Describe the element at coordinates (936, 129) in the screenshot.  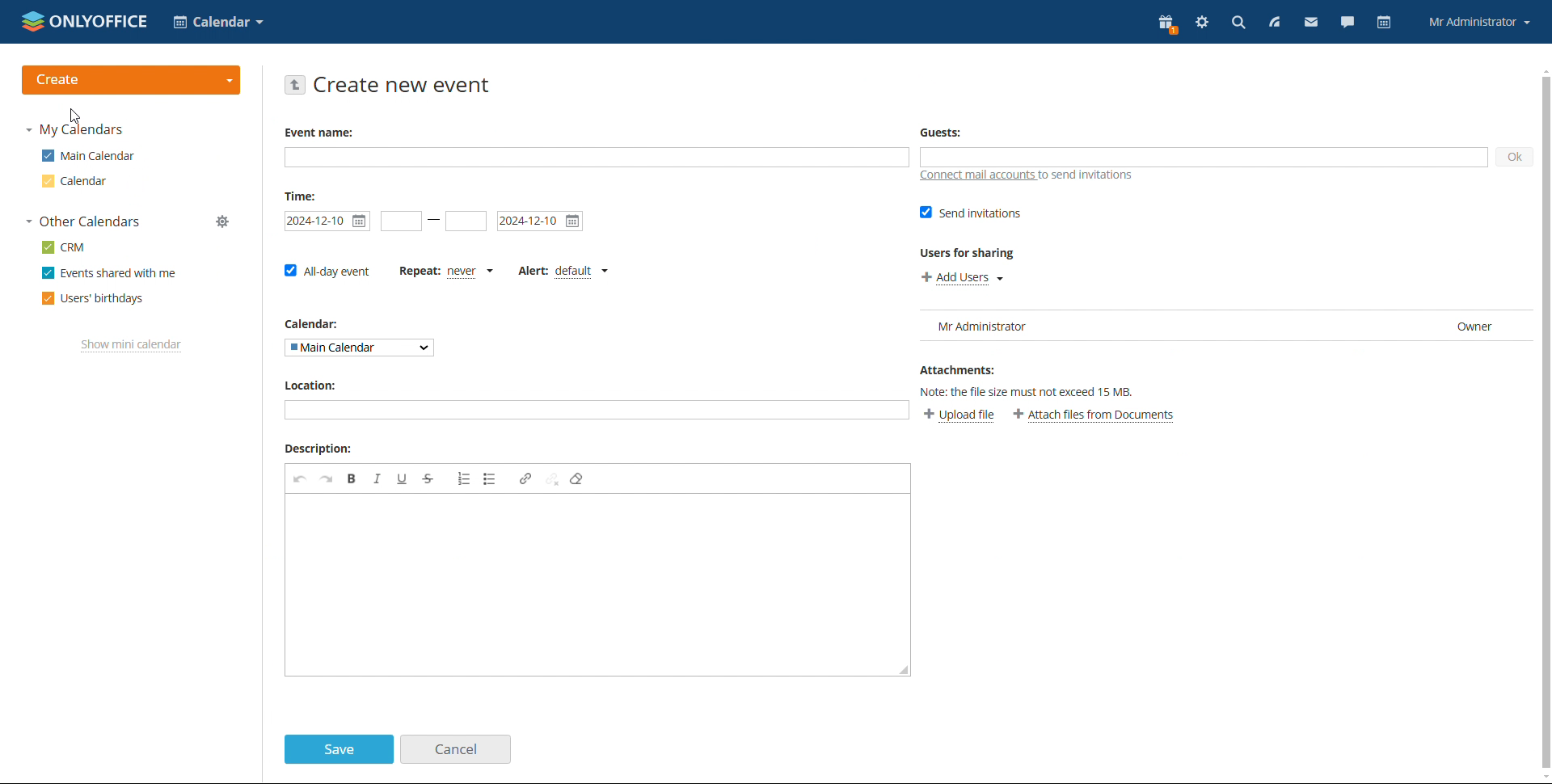
I see `Guests:` at that location.